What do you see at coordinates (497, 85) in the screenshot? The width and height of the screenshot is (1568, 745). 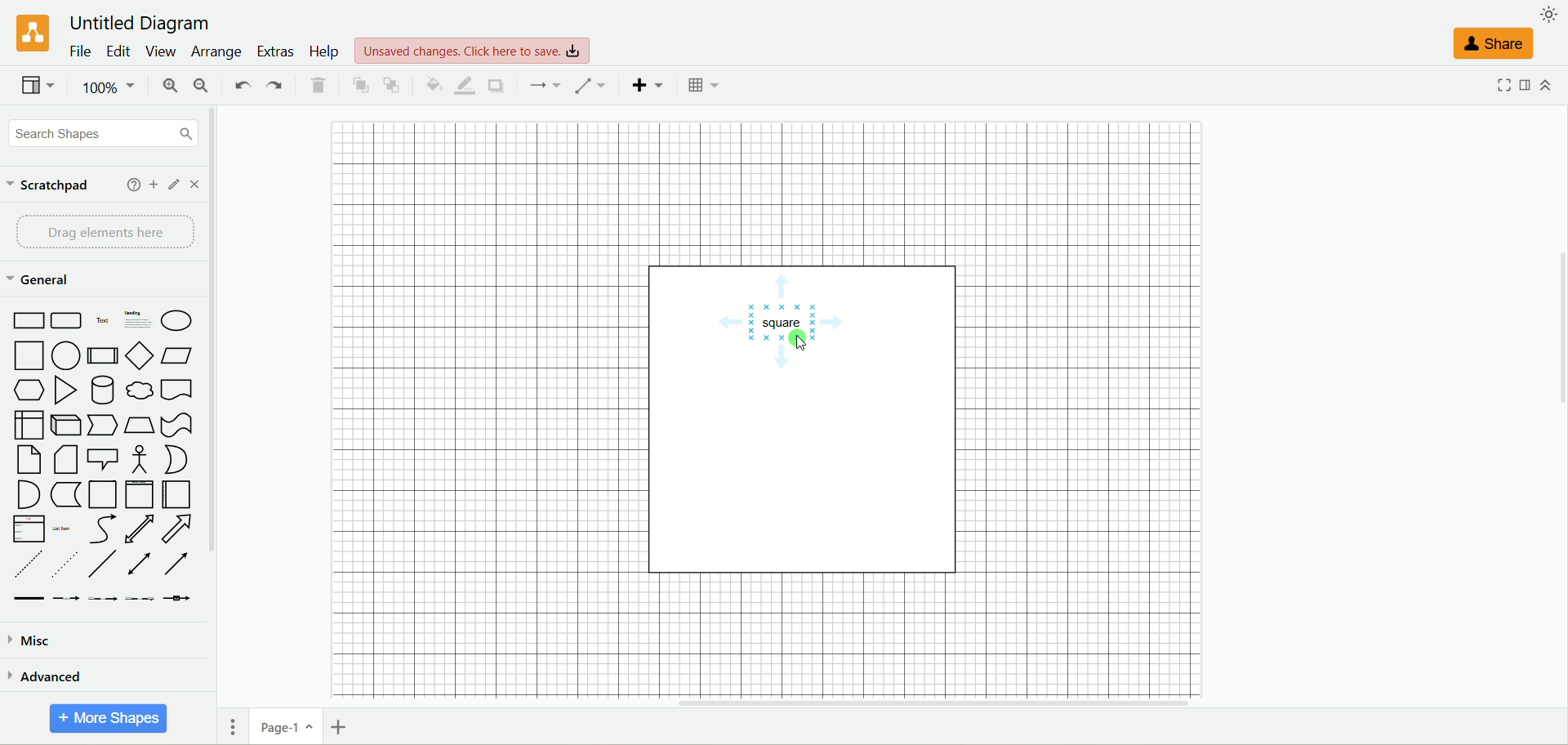 I see `shadow` at bounding box center [497, 85].